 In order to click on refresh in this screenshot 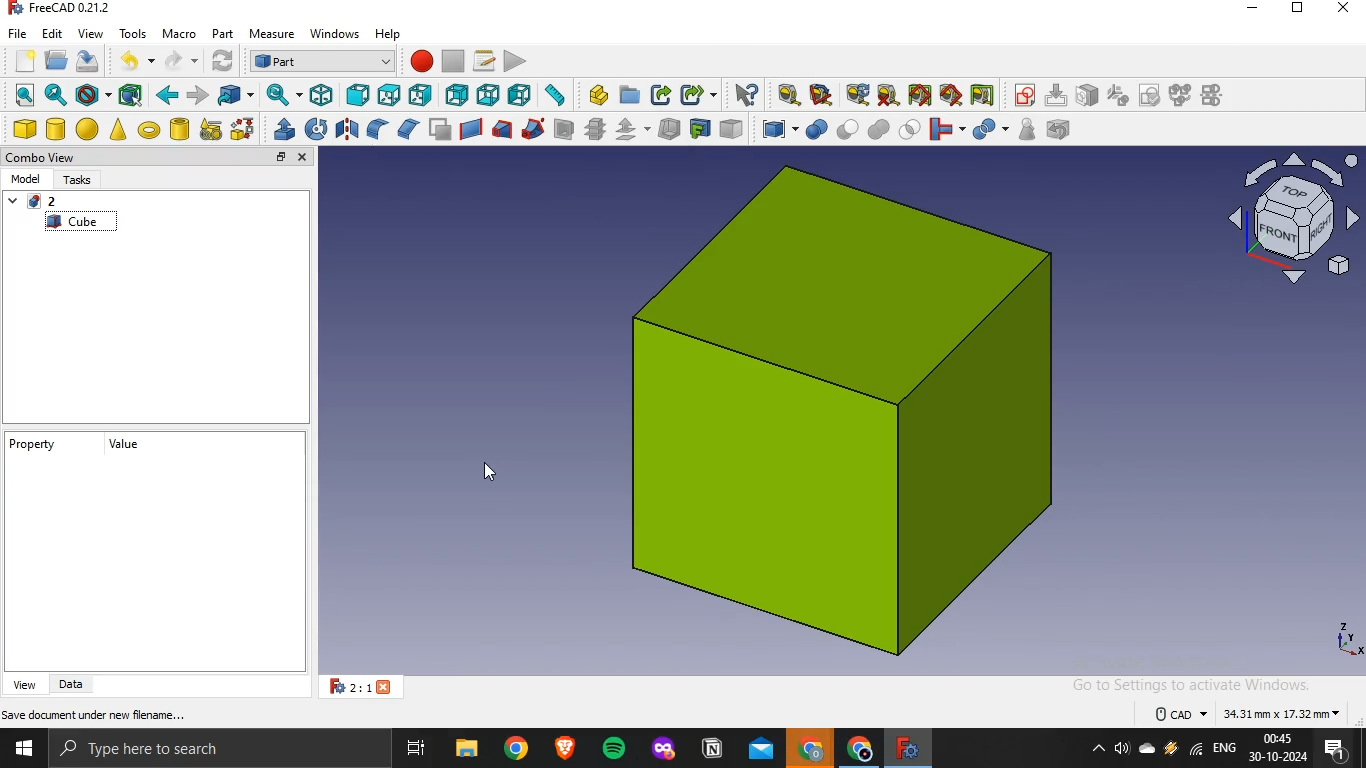, I will do `click(857, 95)`.